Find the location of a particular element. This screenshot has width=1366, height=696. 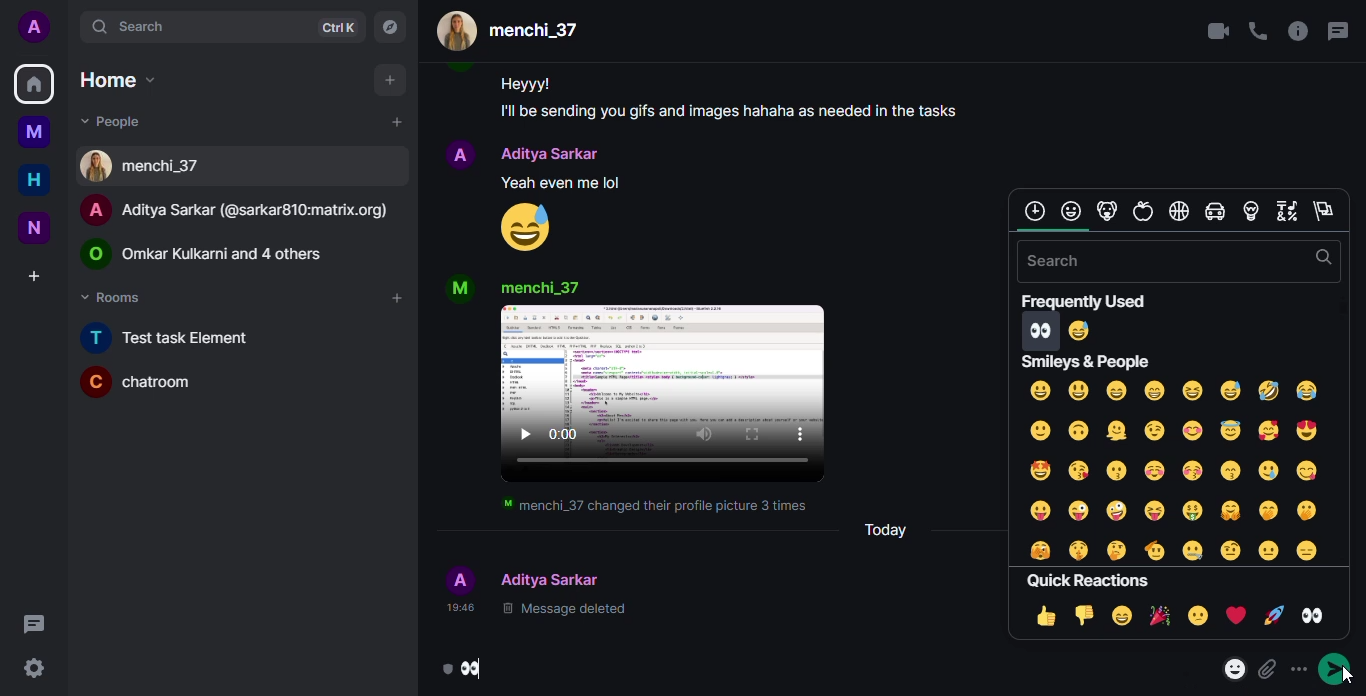

Heyyy! is located at coordinates (526, 84).